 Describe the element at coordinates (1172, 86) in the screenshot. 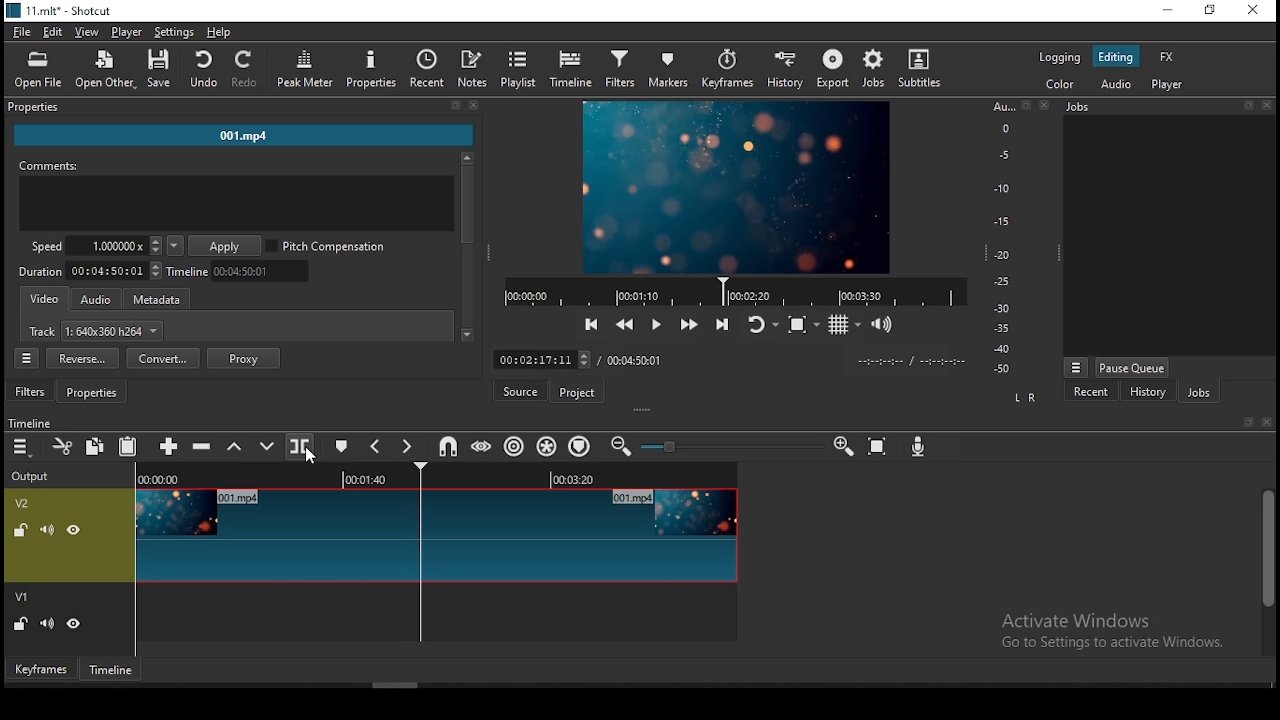

I see `player` at that location.